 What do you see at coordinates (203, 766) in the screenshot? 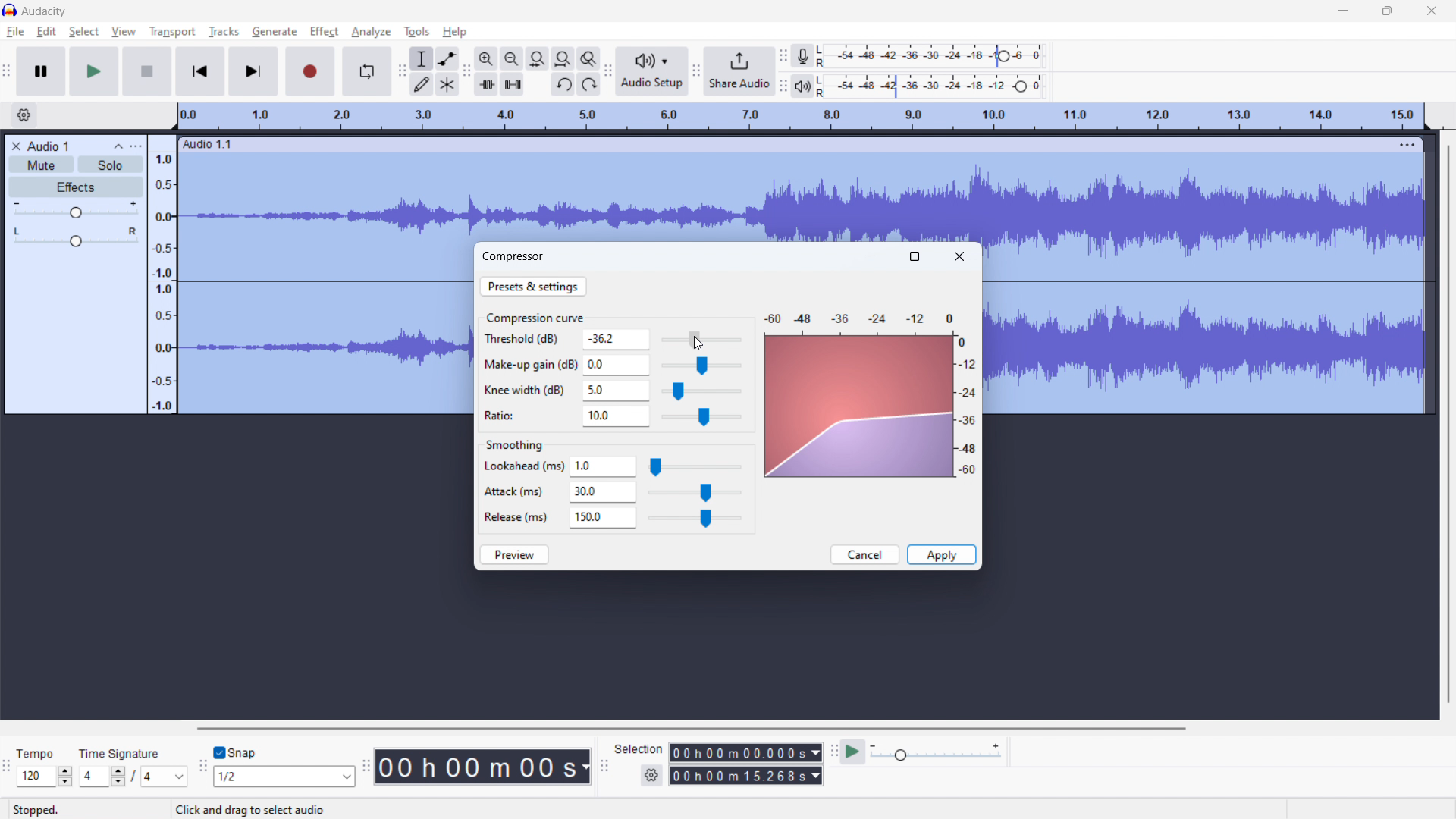
I see `snapping toolbar` at bounding box center [203, 766].